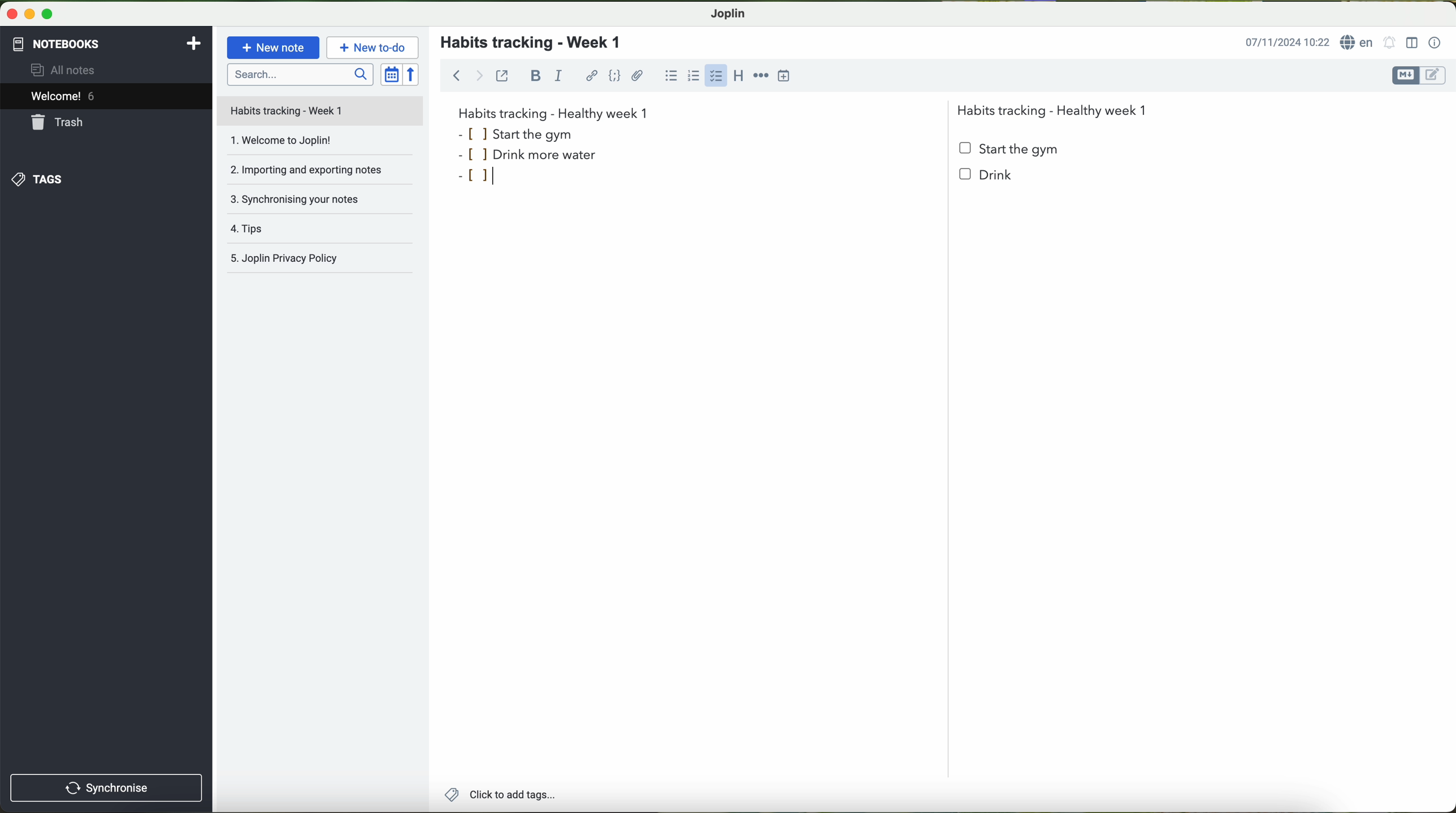  I want to click on italic, so click(558, 75).